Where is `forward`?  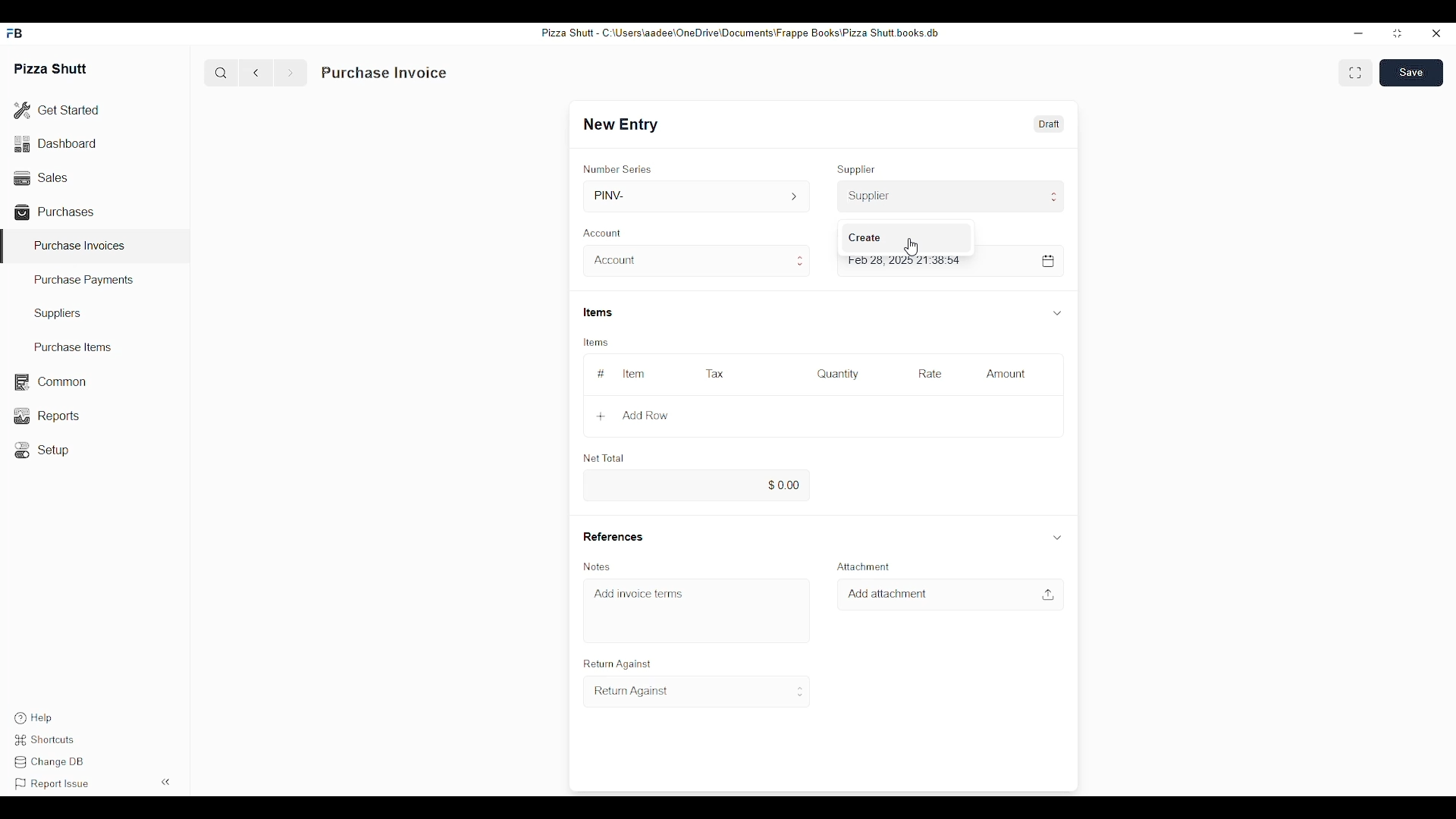 forward is located at coordinates (290, 73).